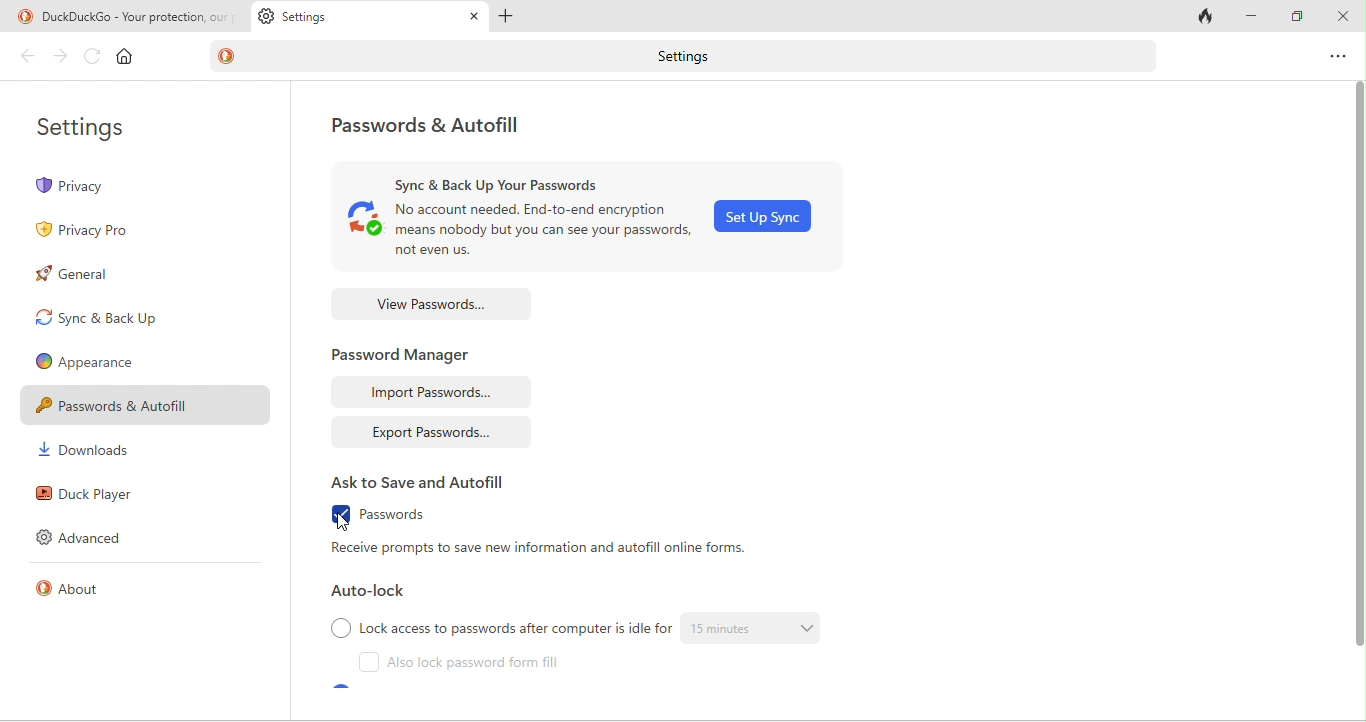 This screenshot has height=722, width=1366. What do you see at coordinates (434, 305) in the screenshot?
I see `view passwords` at bounding box center [434, 305].